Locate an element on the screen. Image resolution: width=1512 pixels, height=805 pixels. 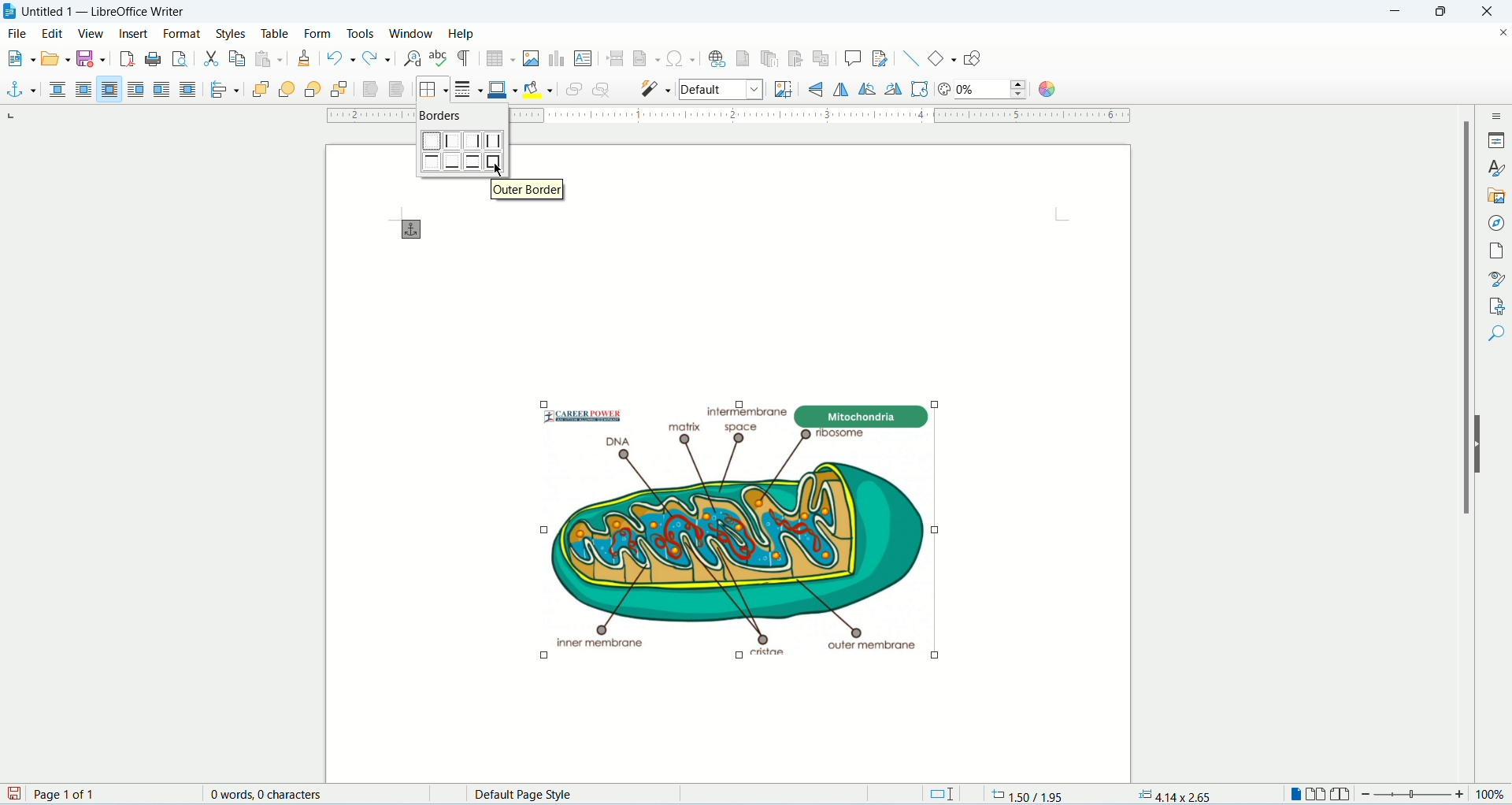
crop image is located at coordinates (780, 89).